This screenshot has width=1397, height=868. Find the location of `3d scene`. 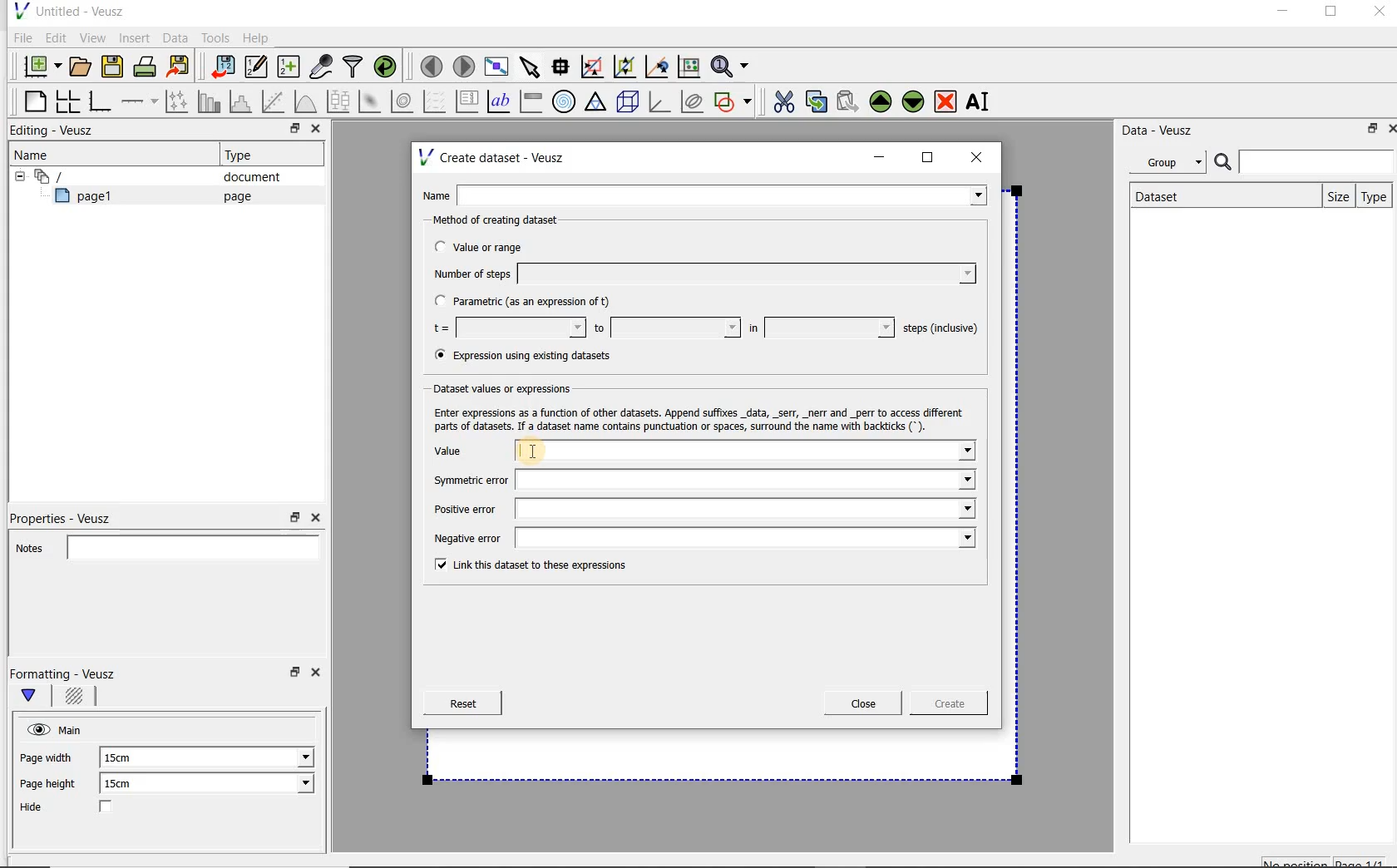

3d scene is located at coordinates (629, 103).